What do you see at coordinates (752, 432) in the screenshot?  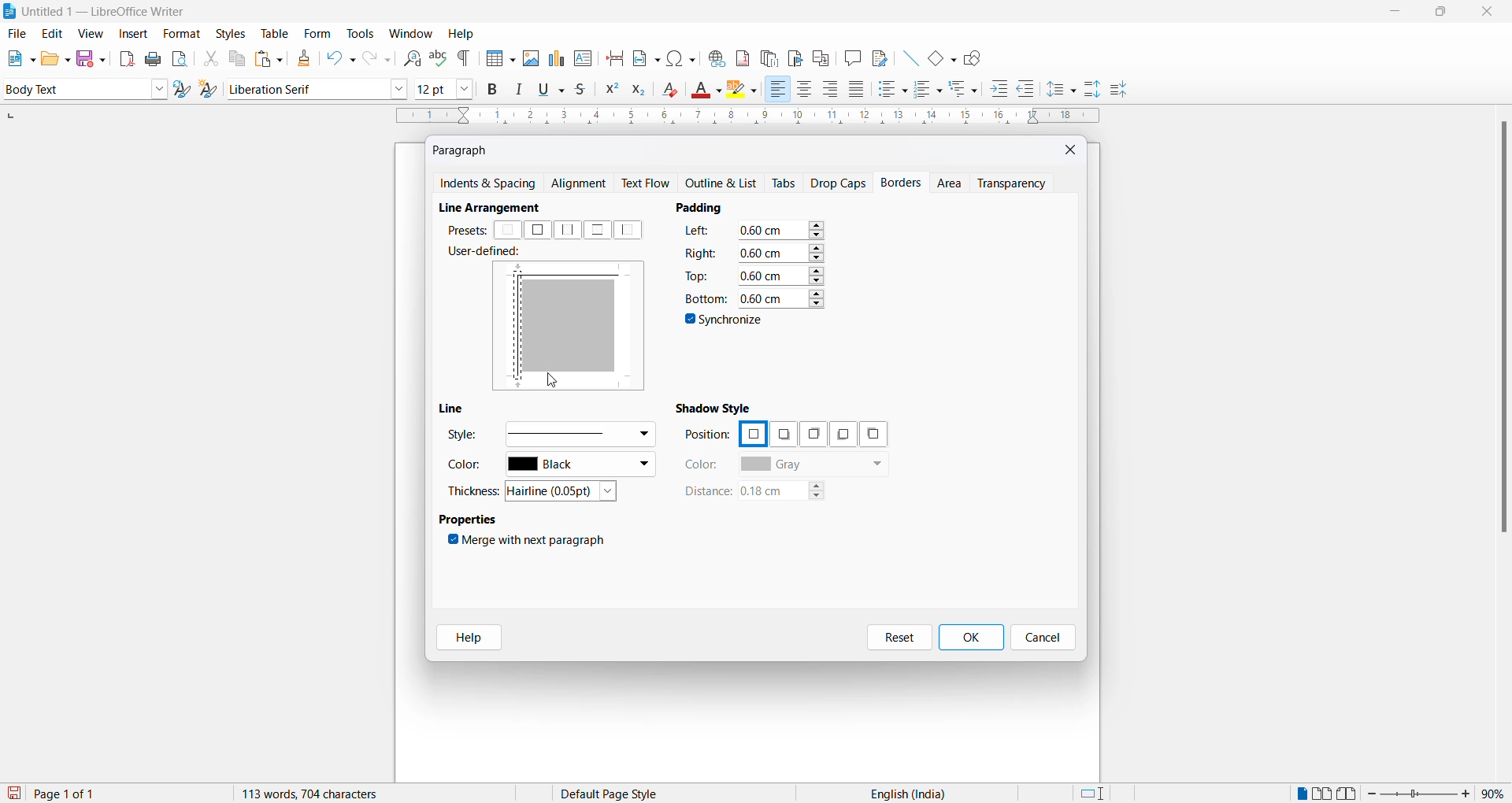 I see `position options` at bounding box center [752, 432].